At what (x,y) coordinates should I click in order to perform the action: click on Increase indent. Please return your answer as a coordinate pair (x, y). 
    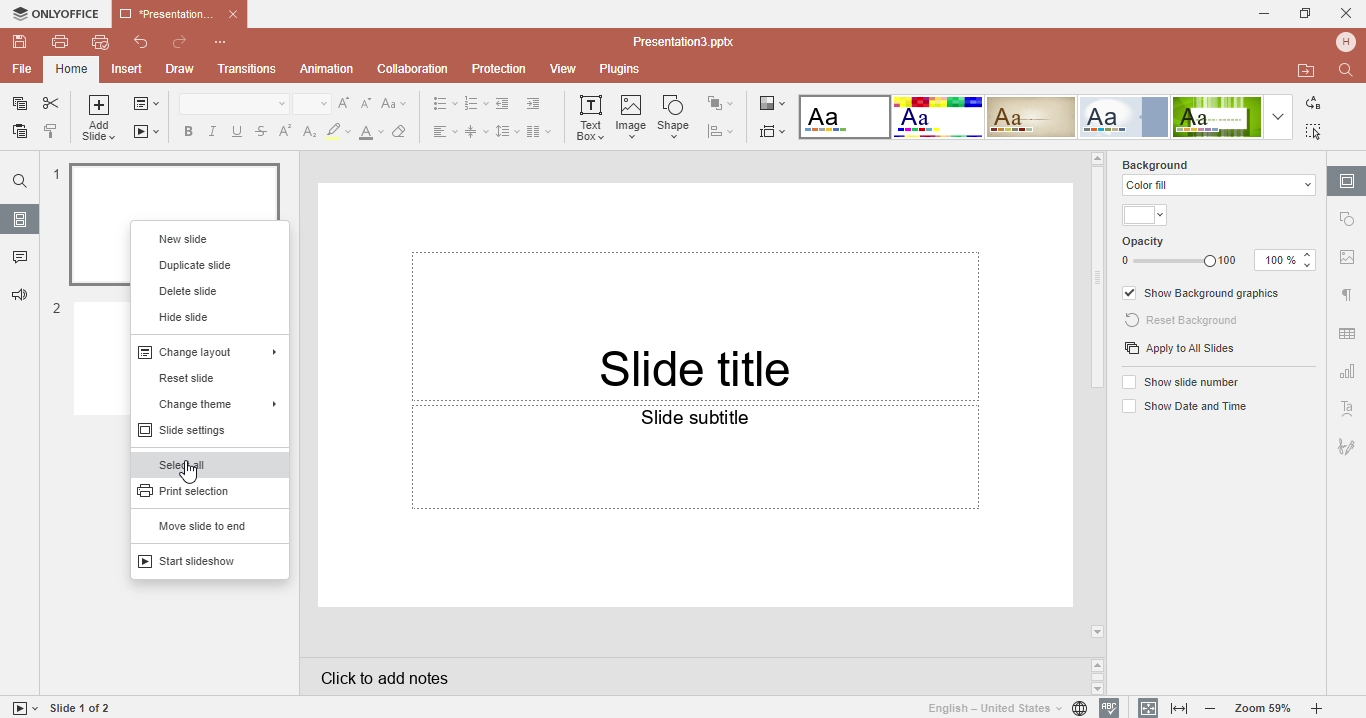
    Looking at the image, I should click on (538, 104).